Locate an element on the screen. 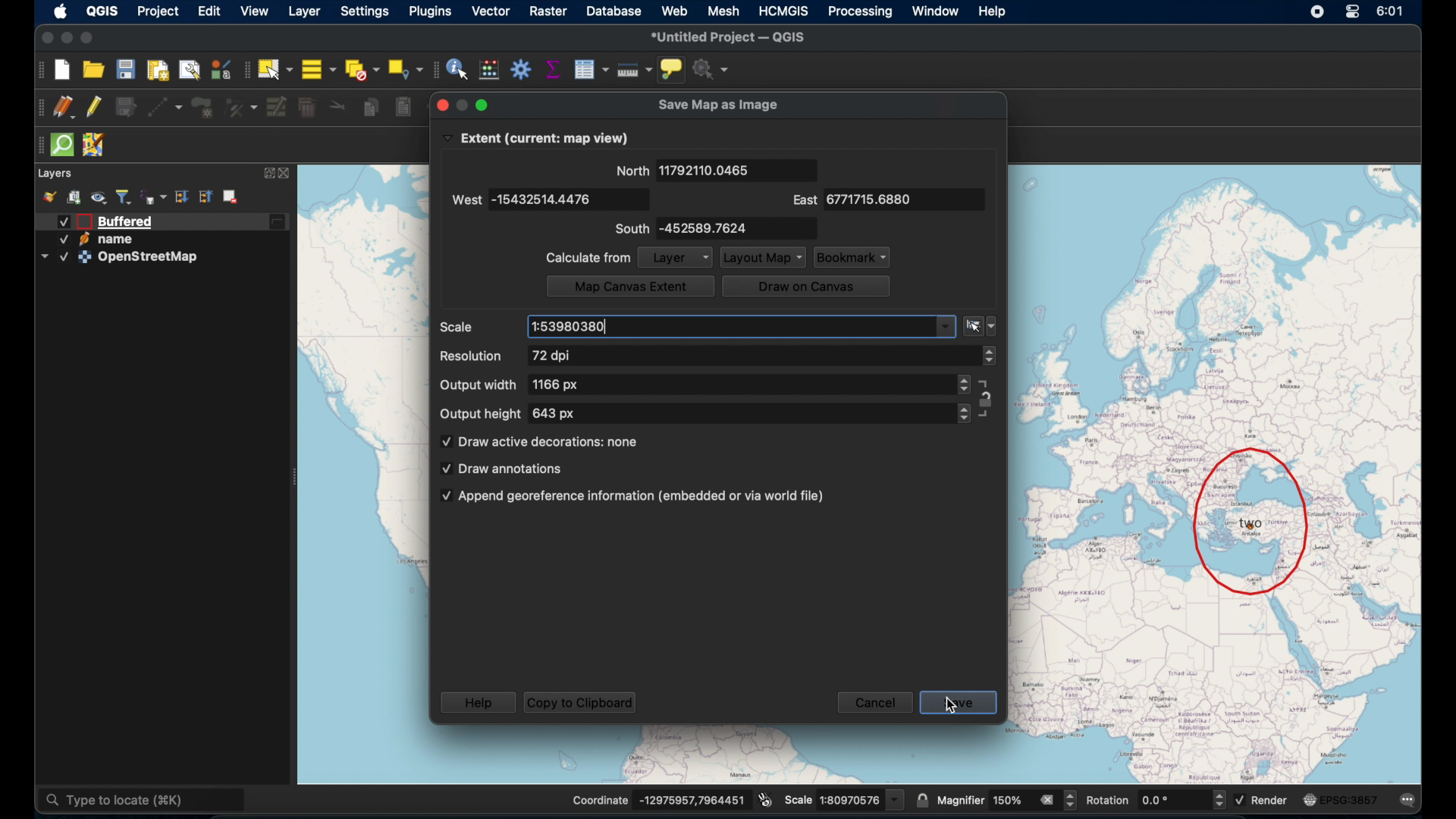 The image size is (1456, 819). open attribute table is located at coordinates (590, 69).